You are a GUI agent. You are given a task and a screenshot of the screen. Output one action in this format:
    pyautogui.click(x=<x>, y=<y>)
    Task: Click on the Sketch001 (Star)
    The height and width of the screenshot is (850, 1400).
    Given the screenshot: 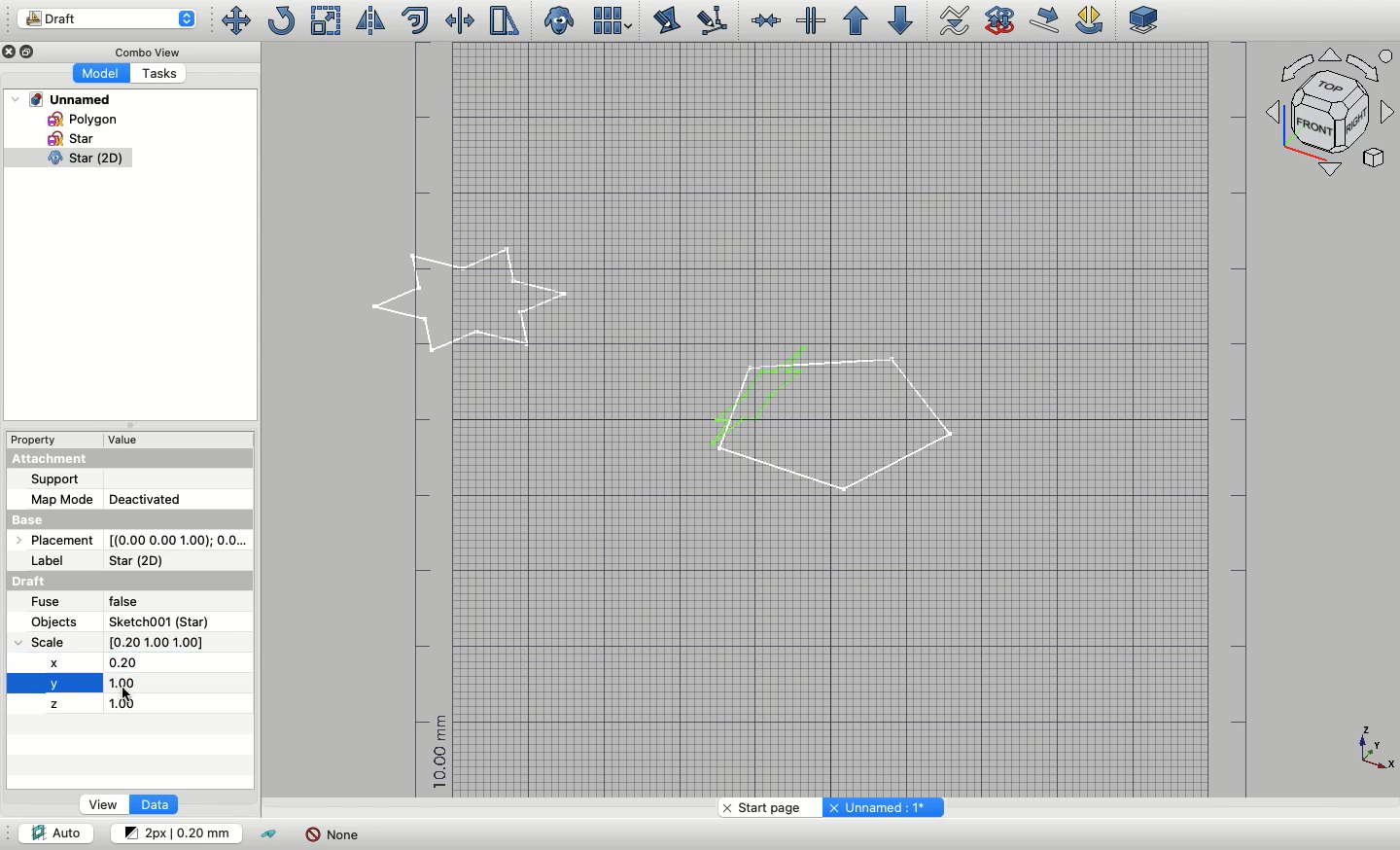 What is the action you would take?
    pyautogui.click(x=159, y=621)
    